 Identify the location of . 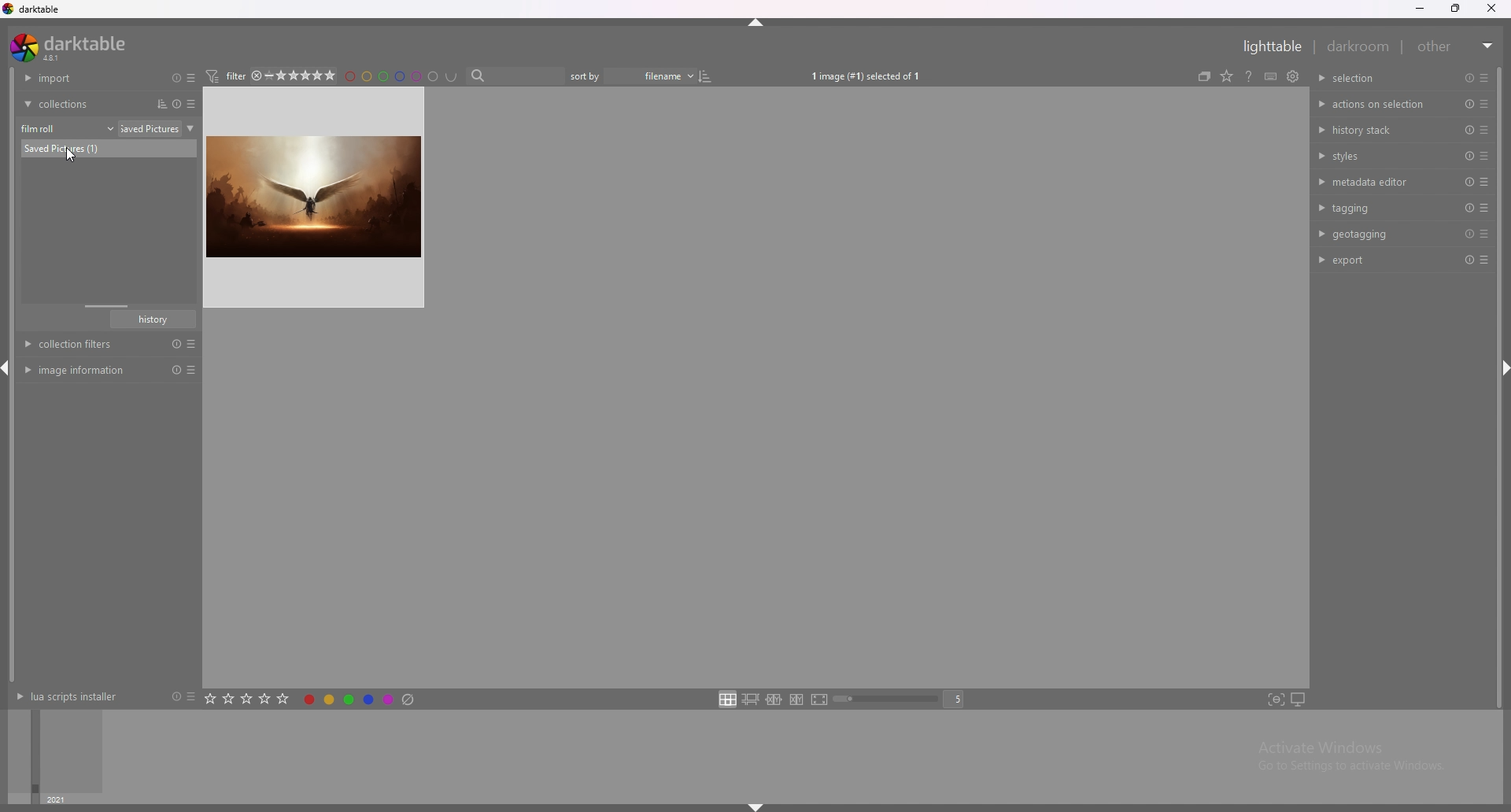
(1486, 209).